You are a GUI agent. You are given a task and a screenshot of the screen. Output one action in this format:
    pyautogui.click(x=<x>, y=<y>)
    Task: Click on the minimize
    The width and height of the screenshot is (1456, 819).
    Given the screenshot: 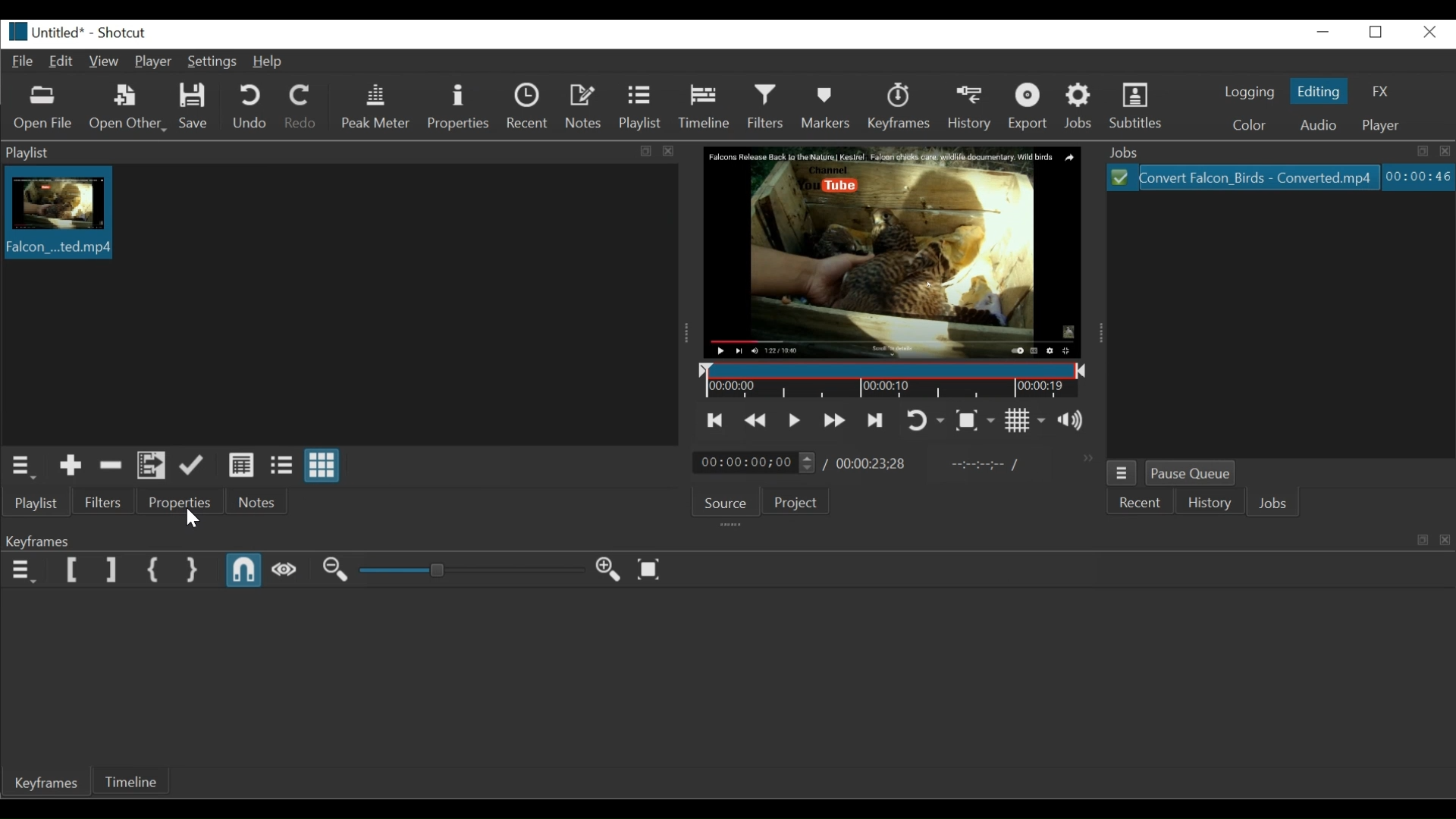 What is the action you would take?
    pyautogui.click(x=1325, y=34)
    